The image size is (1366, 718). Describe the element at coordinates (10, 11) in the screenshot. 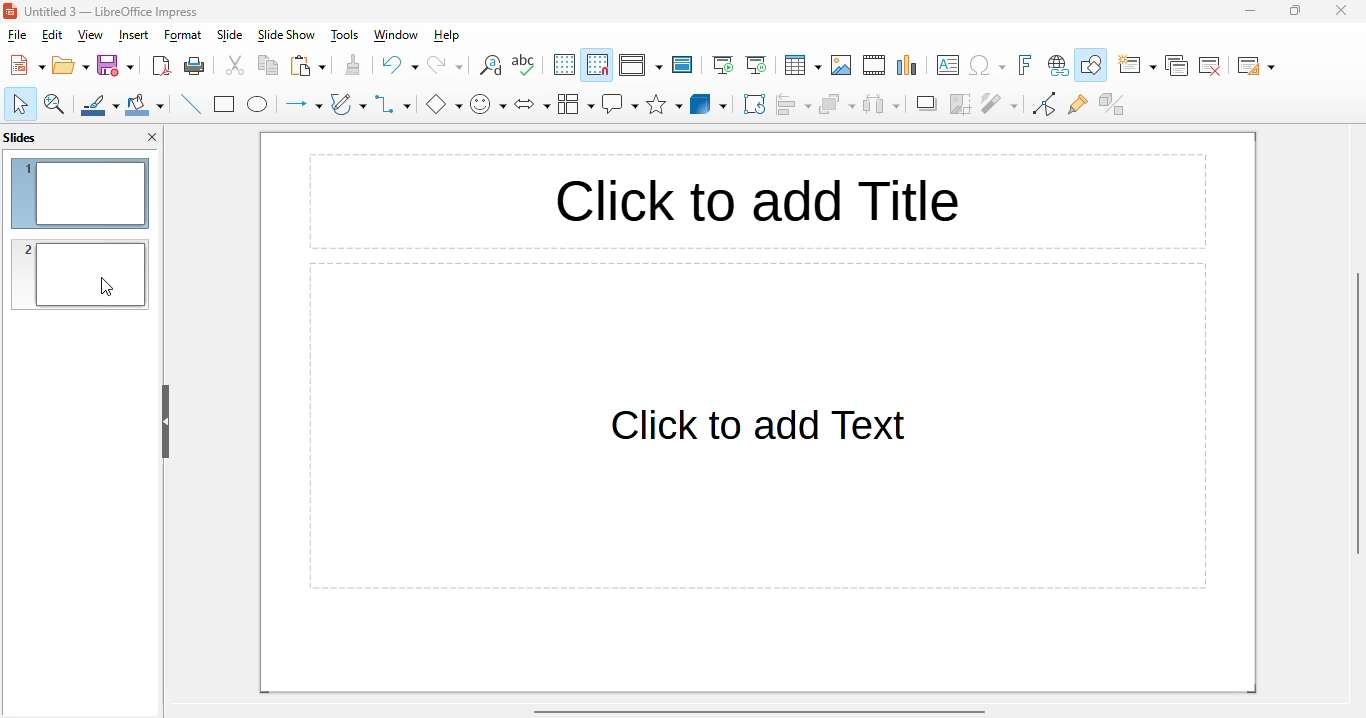

I see `logo` at that location.